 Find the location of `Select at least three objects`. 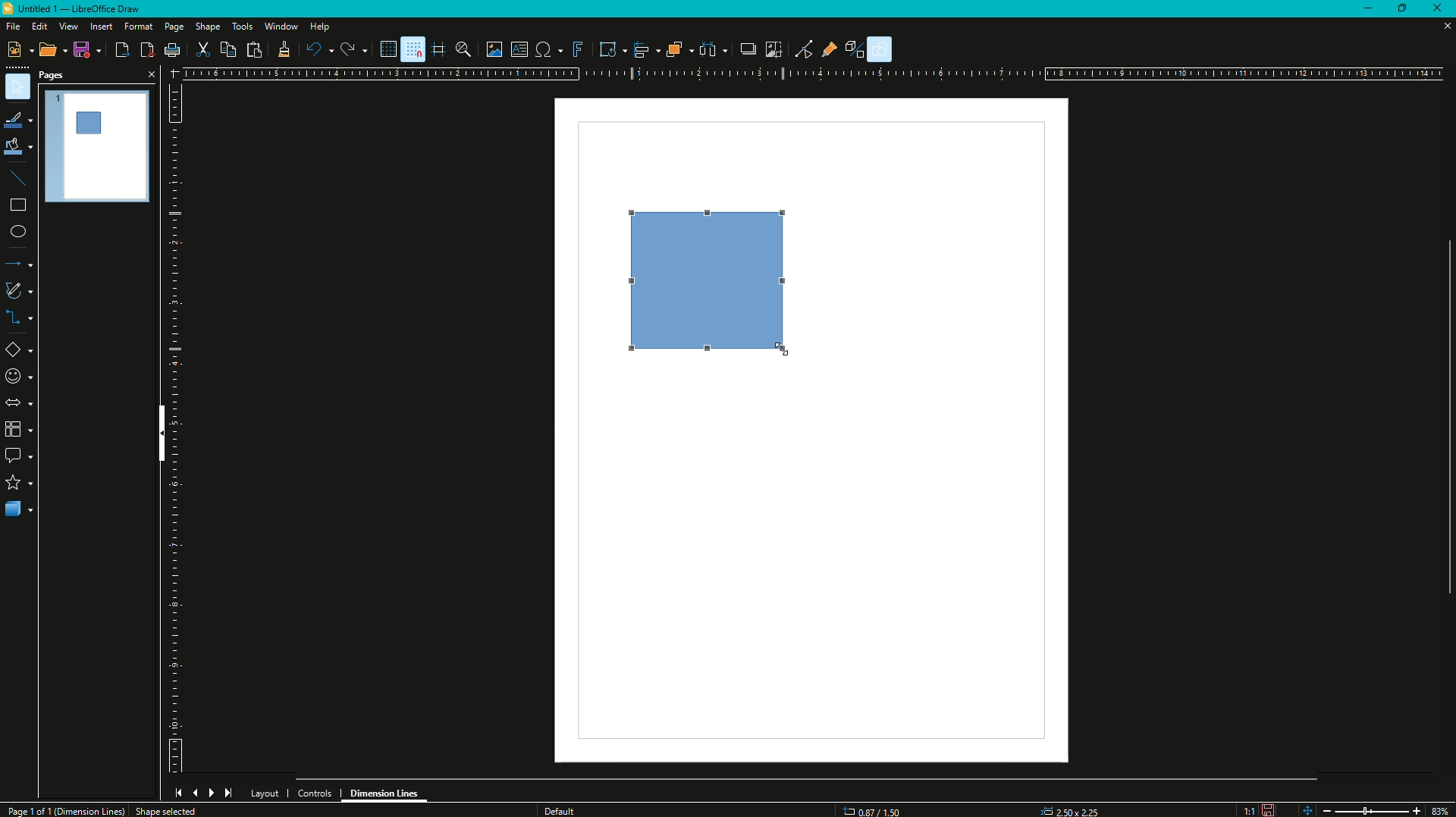

Select at least three objects is located at coordinates (713, 48).